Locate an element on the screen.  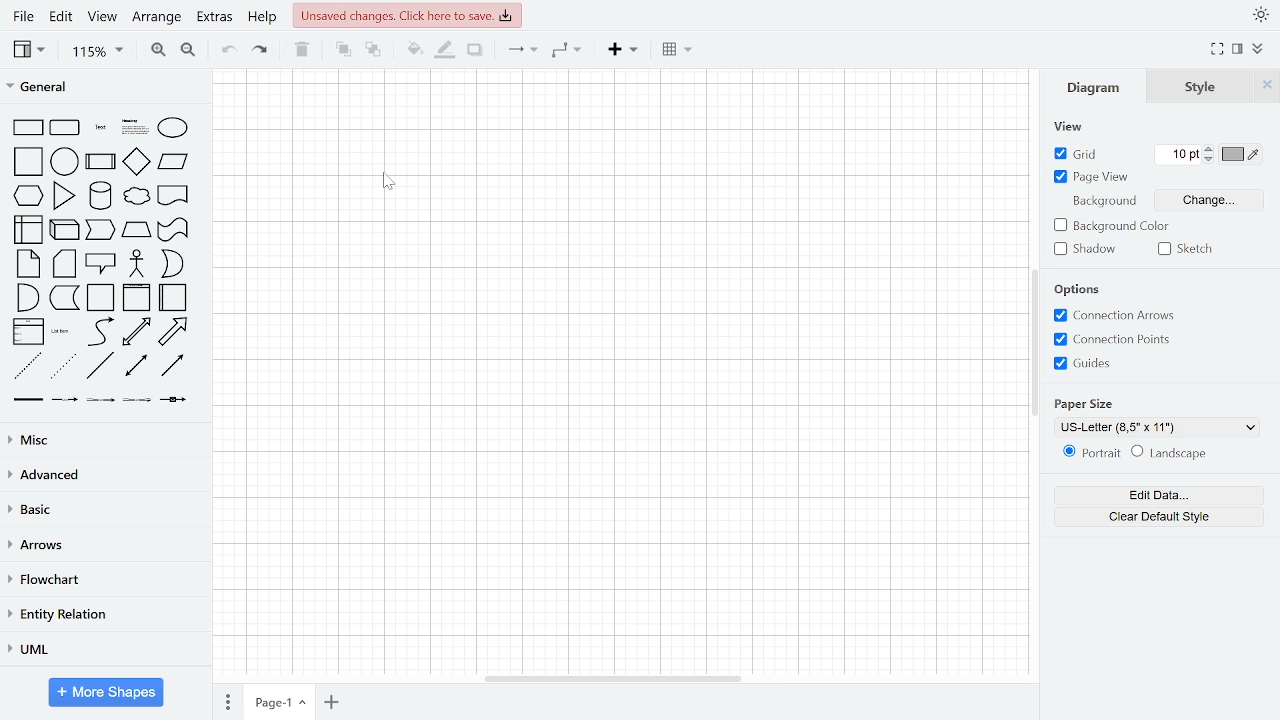
internal storage is located at coordinates (30, 230).